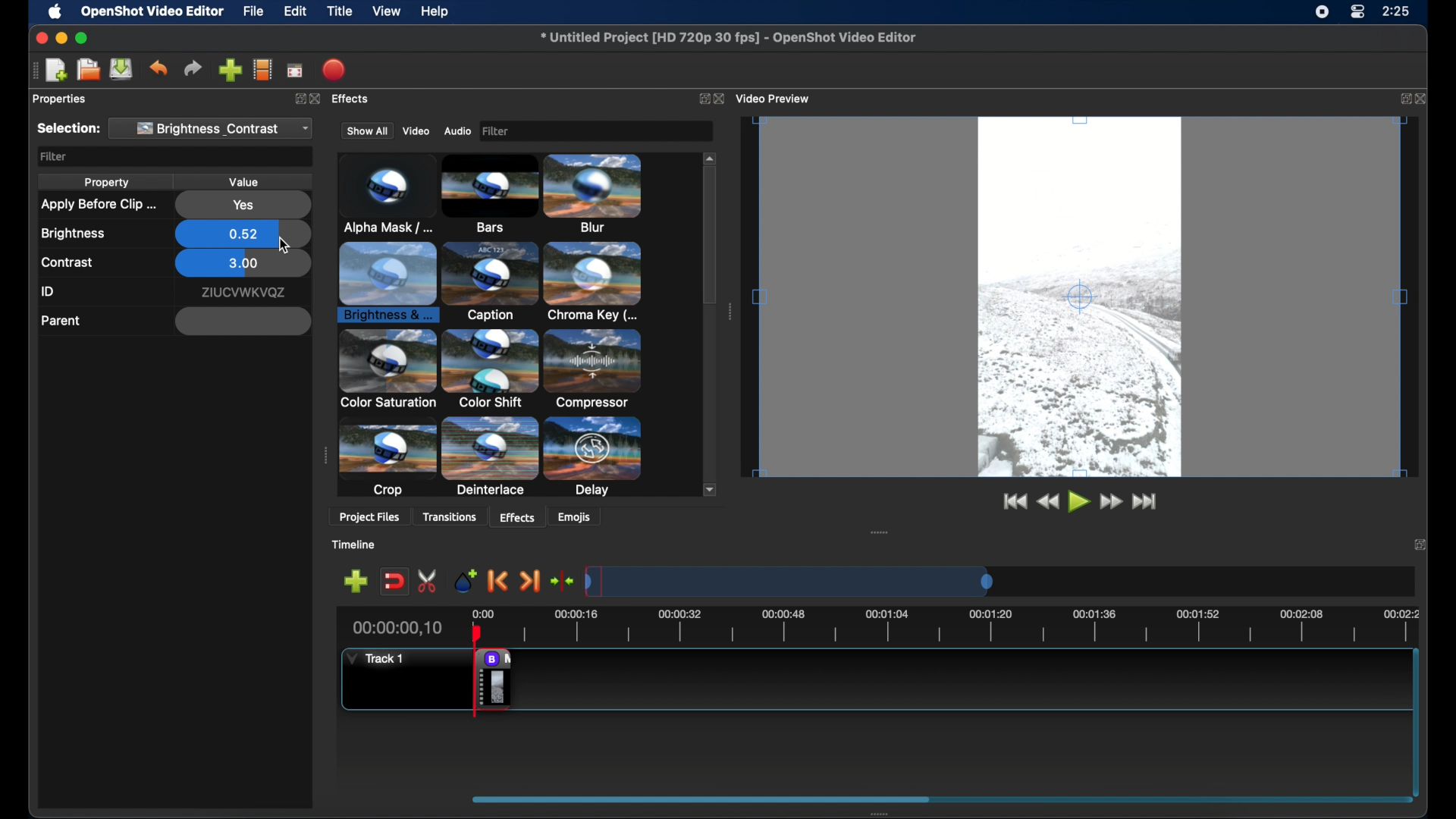 The height and width of the screenshot is (819, 1456). Describe the element at coordinates (708, 156) in the screenshot. I see `scroll up arrow` at that location.